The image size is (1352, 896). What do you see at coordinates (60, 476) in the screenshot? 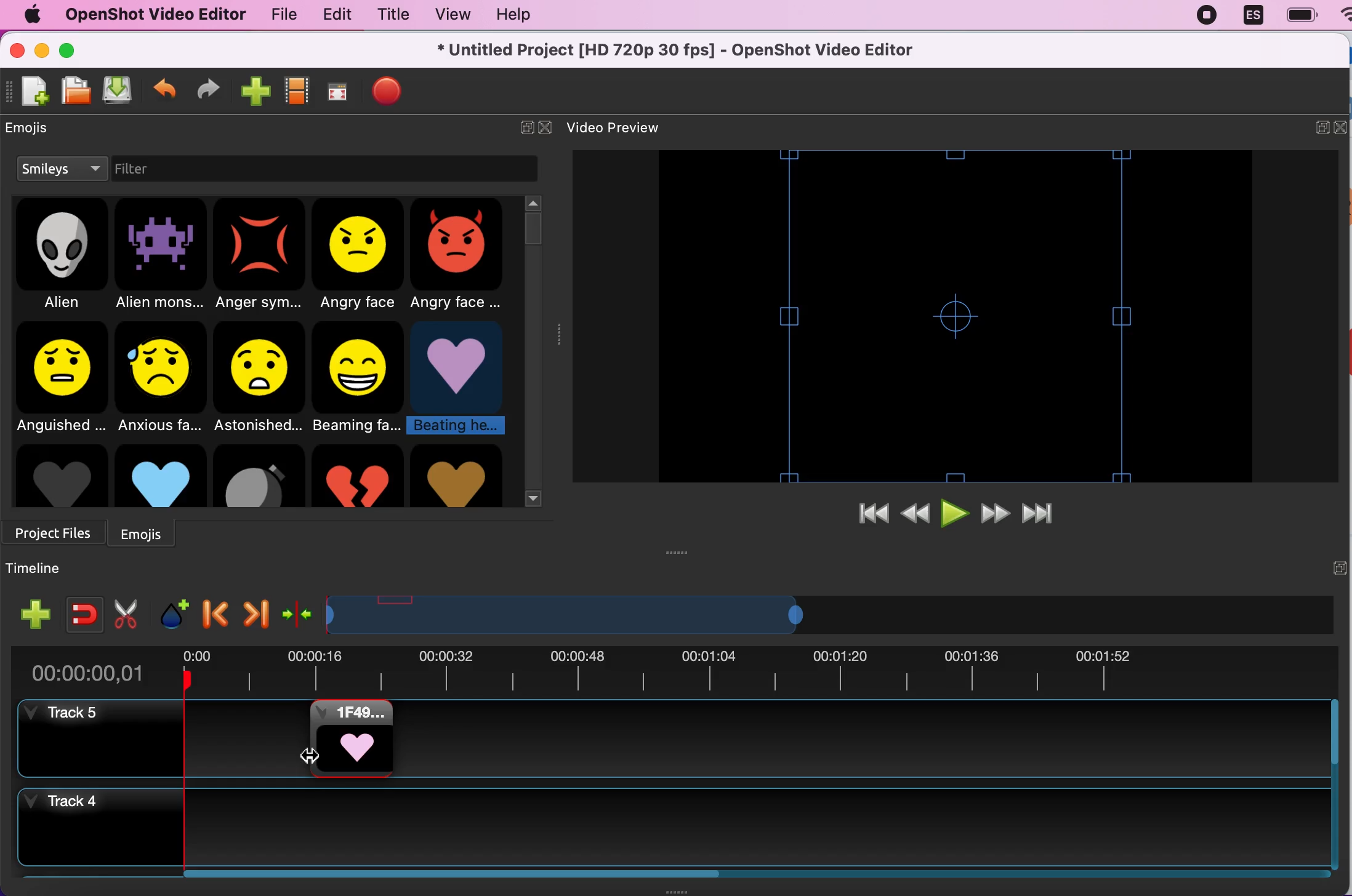
I see `Grey heart` at bounding box center [60, 476].